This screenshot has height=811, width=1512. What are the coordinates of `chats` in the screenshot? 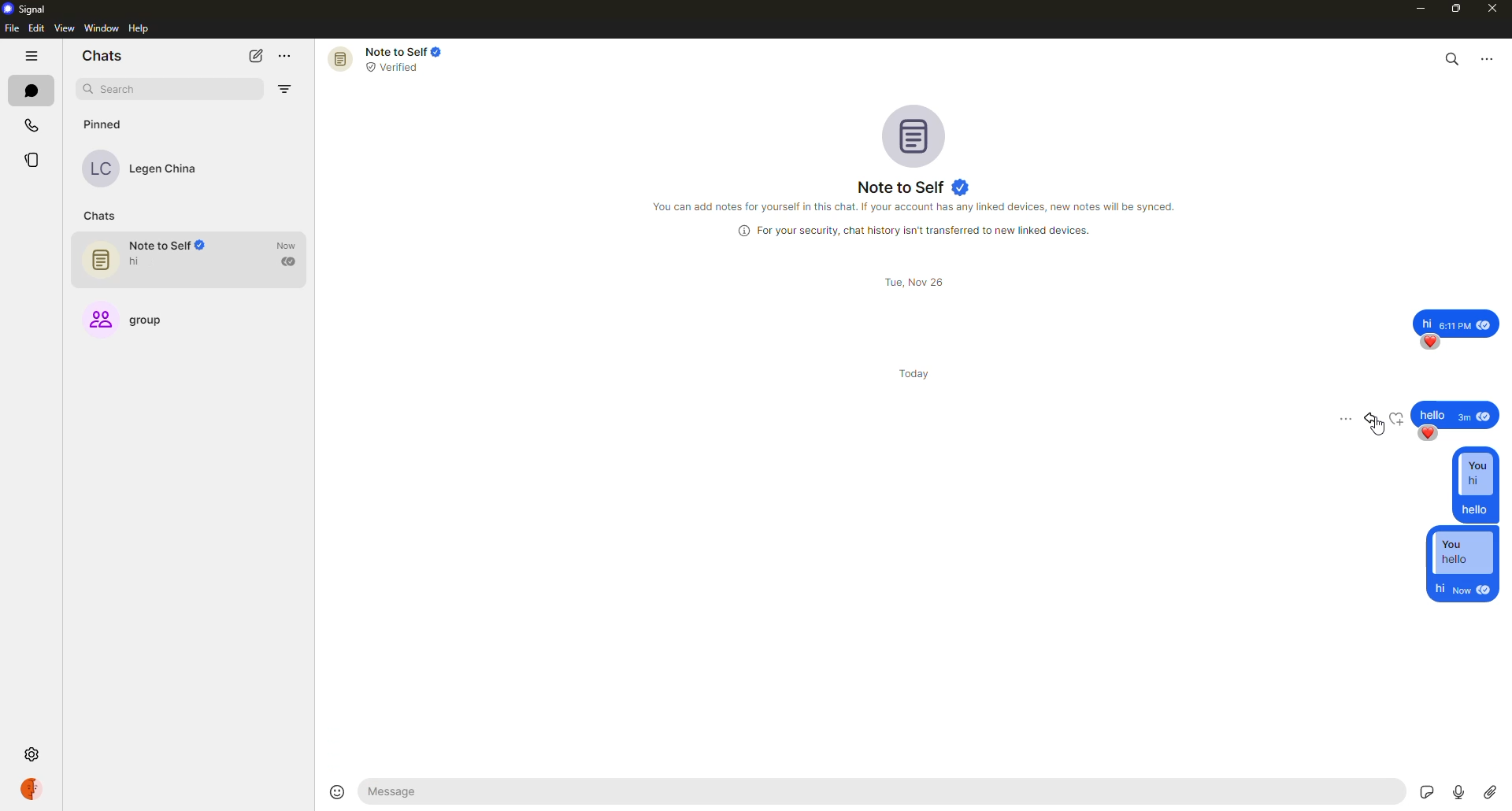 It's located at (31, 91).